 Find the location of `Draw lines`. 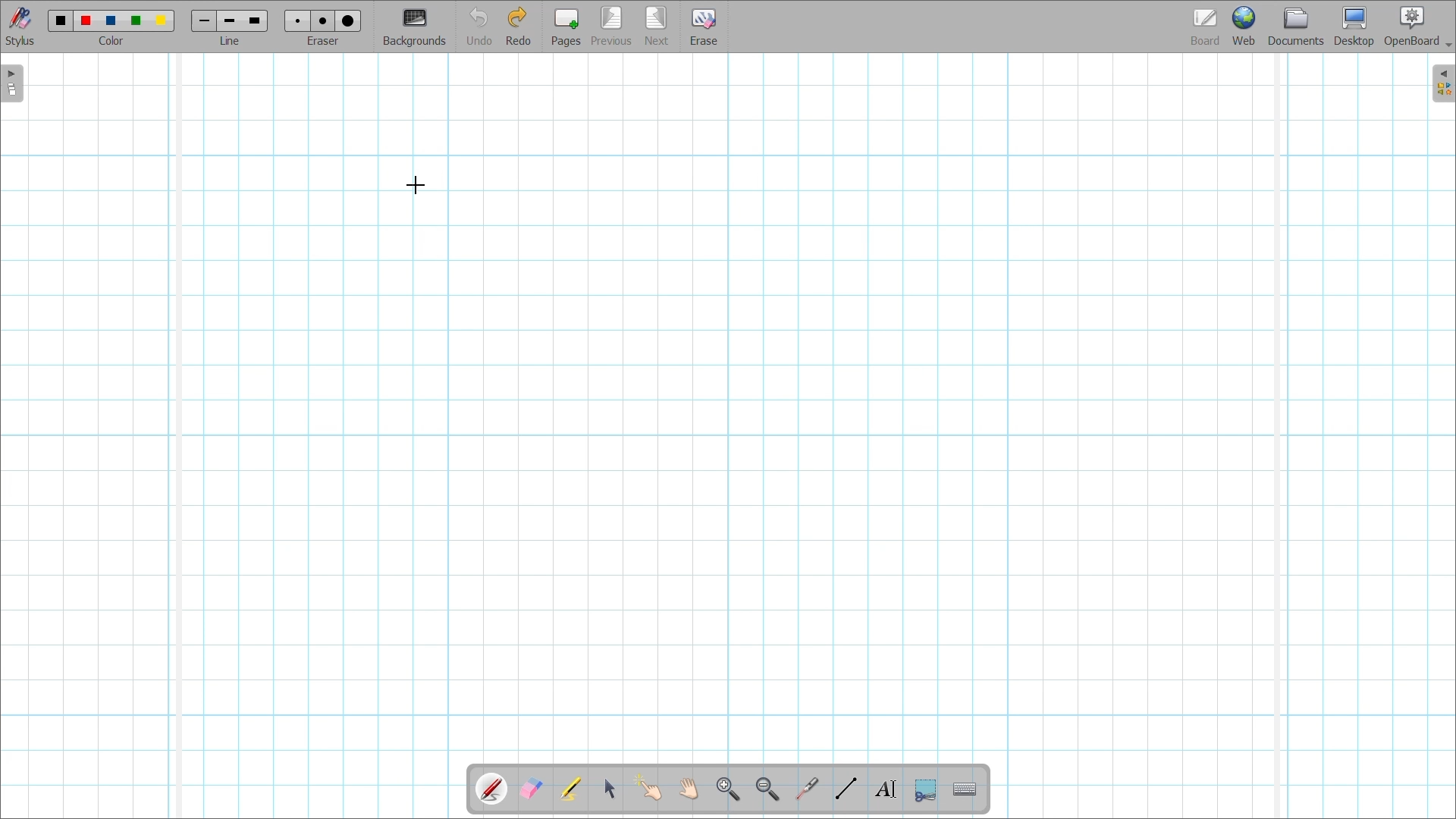

Draw lines is located at coordinates (846, 788).